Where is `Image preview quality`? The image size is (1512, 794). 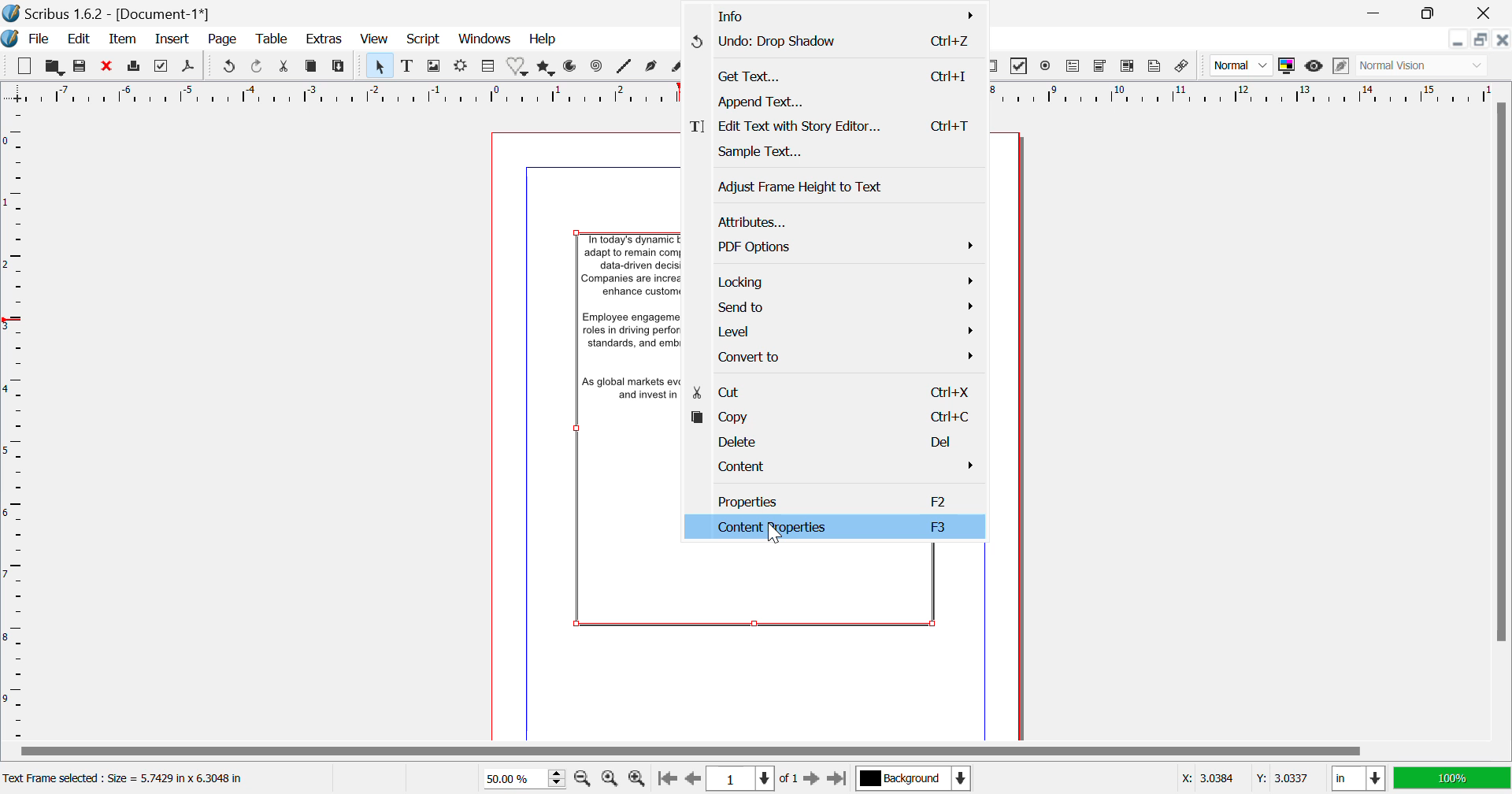
Image preview quality is located at coordinates (1243, 65).